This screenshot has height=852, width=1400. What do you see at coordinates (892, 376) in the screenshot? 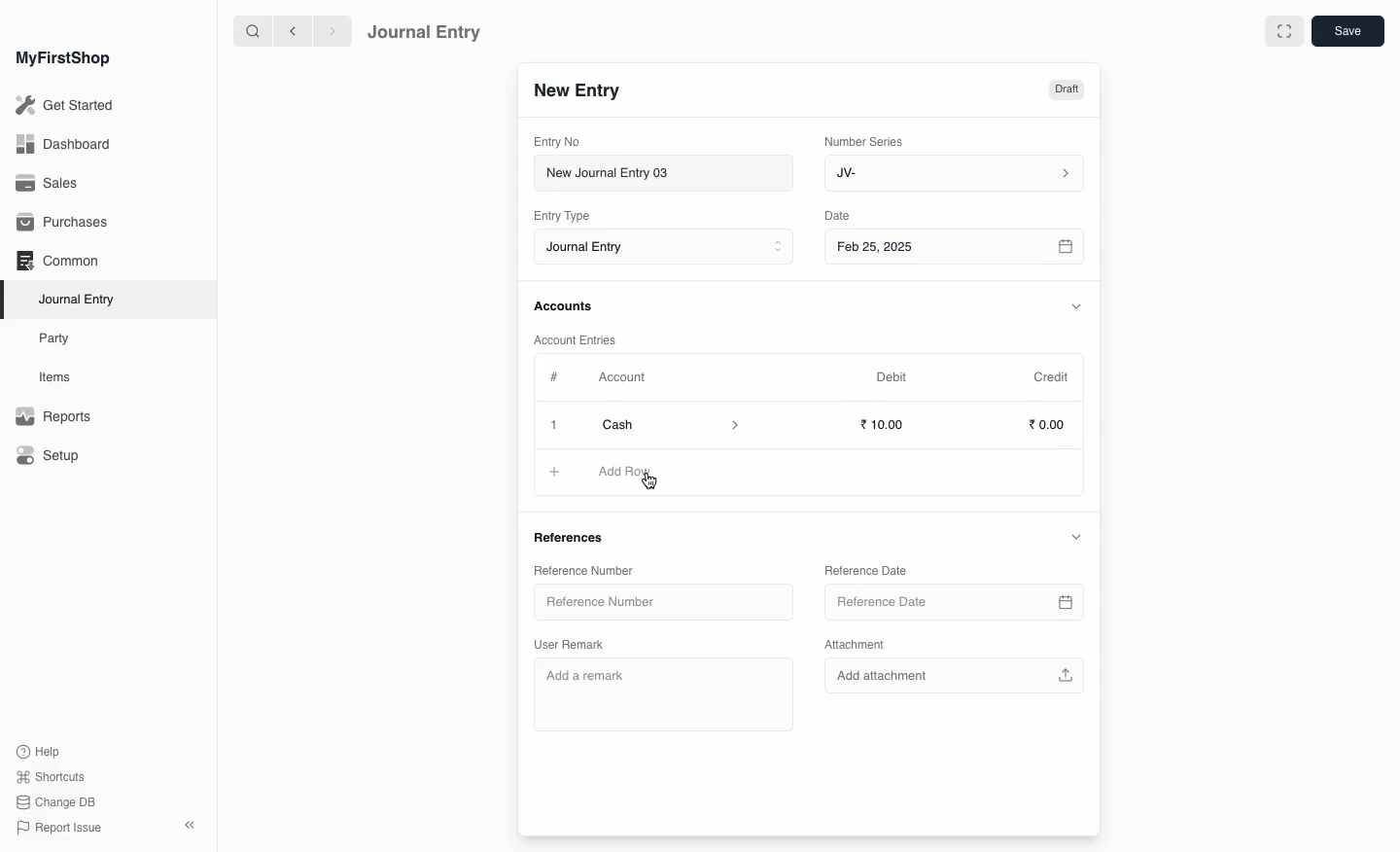
I see `Debit` at bounding box center [892, 376].